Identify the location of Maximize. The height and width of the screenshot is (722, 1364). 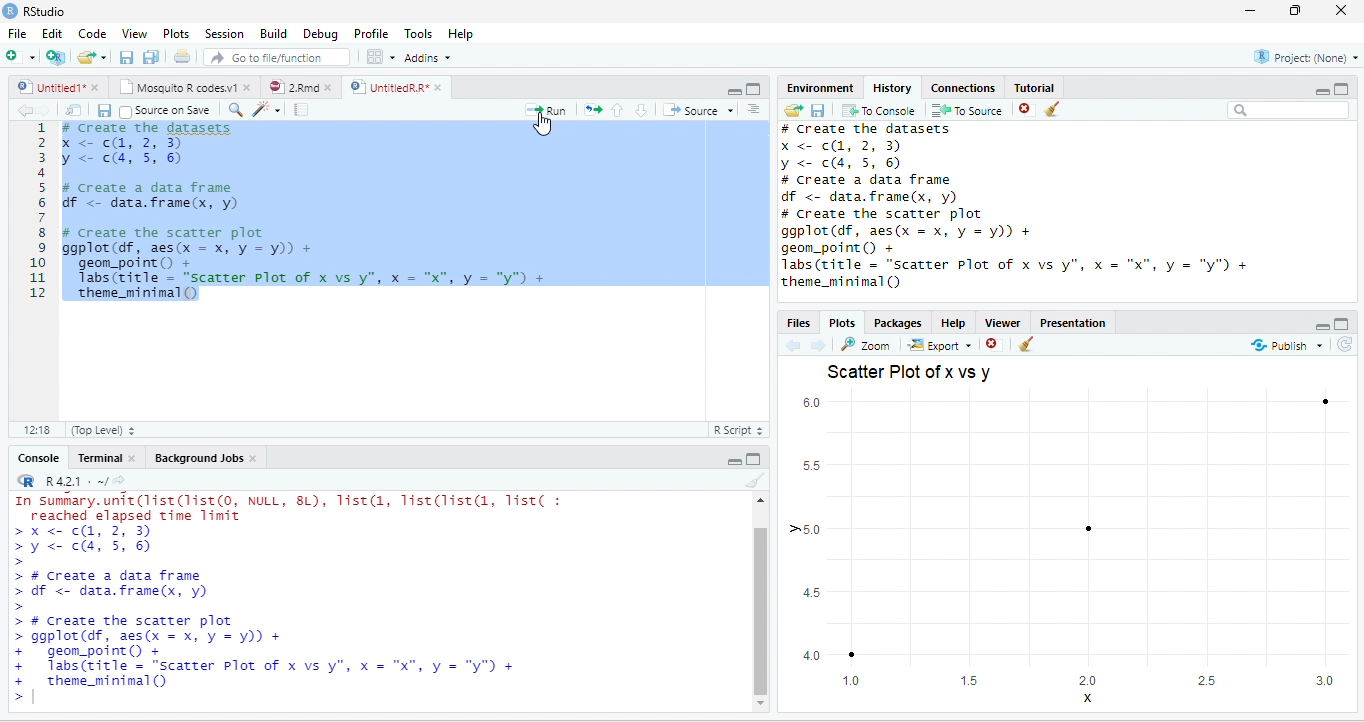
(1343, 323).